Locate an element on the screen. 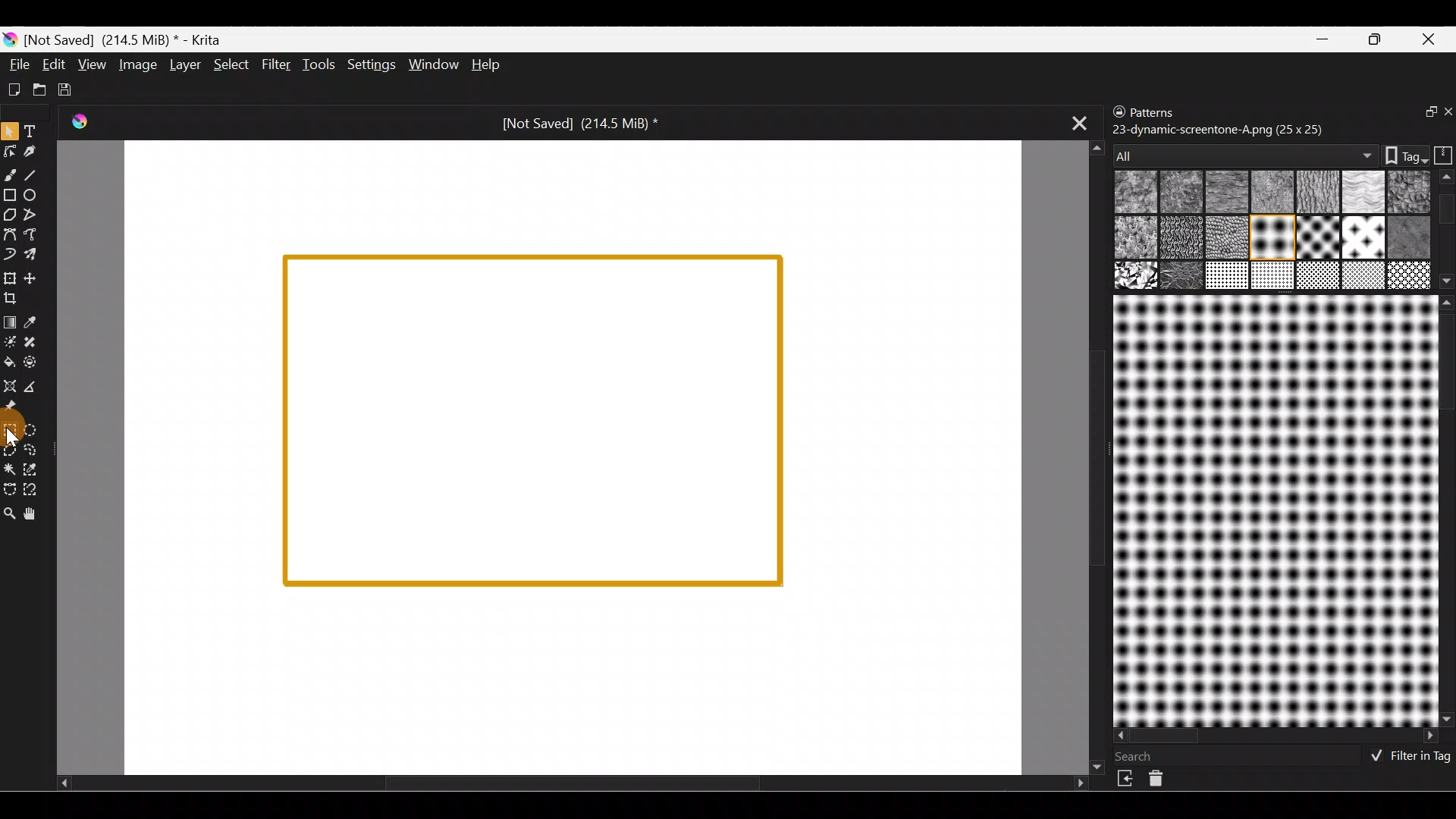 The height and width of the screenshot is (819, 1456). Krita Logo is located at coordinates (88, 123).